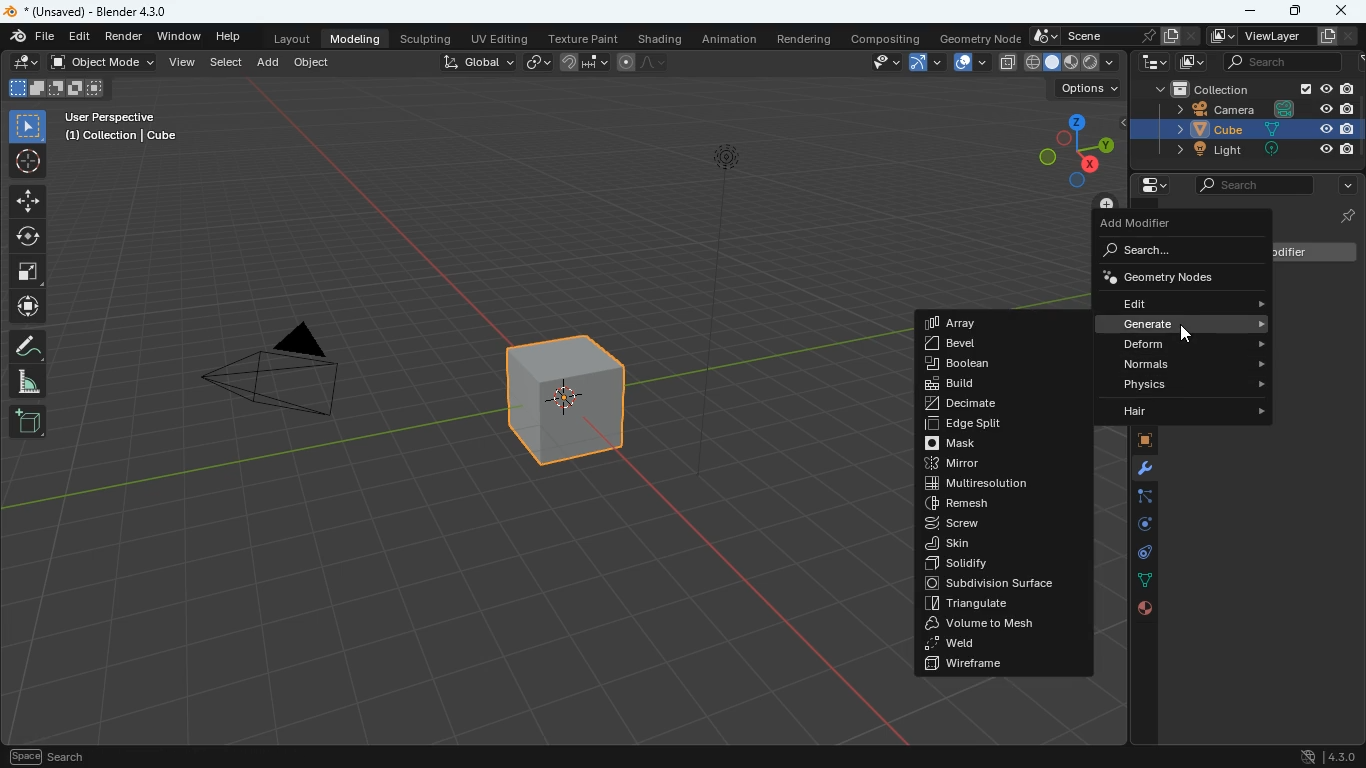 This screenshot has width=1366, height=768. Describe the element at coordinates (28, 274) in the screenshot. I see `full screen` at that location.